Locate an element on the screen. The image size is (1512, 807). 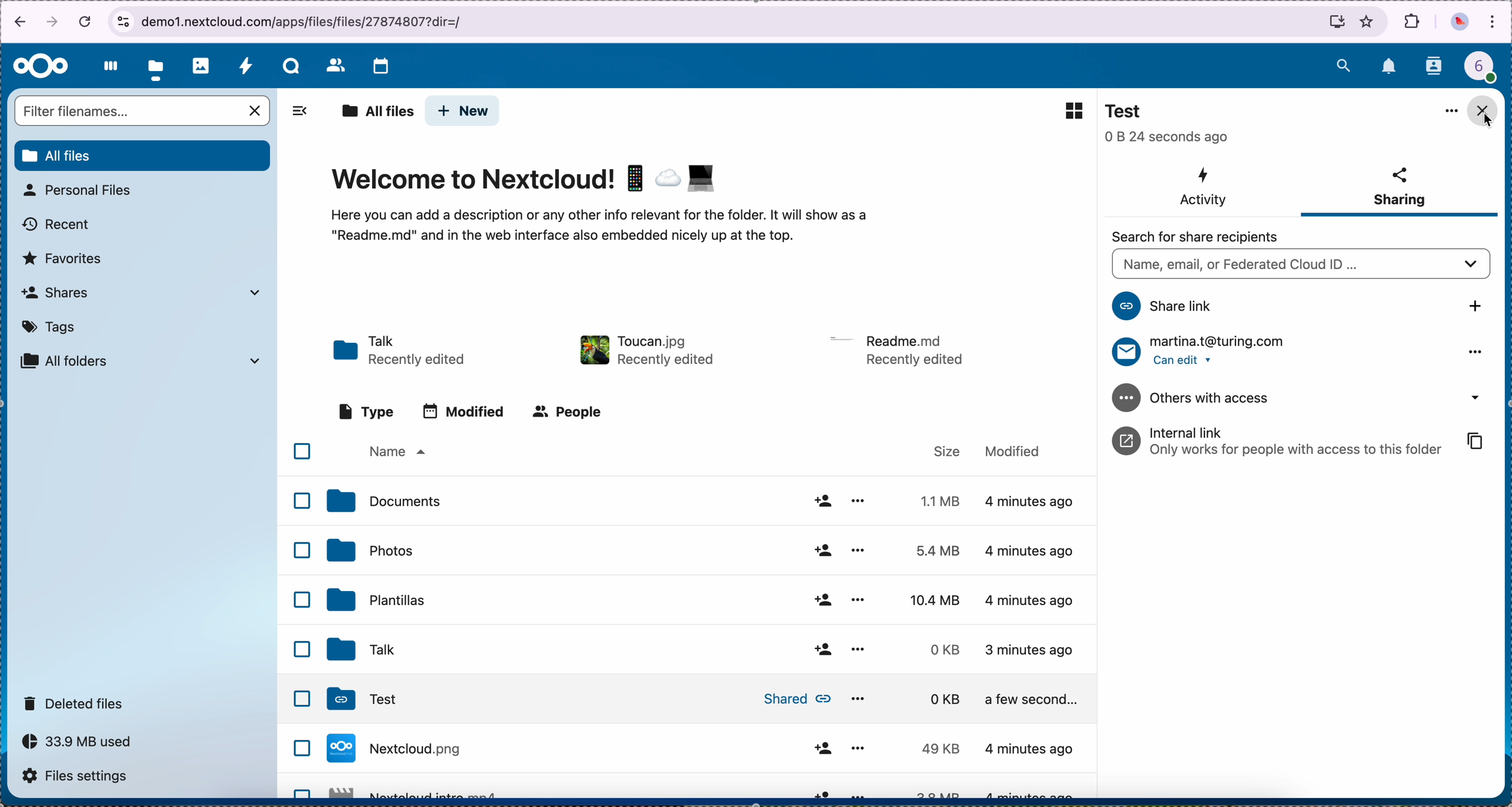
all folders is located at coordinates (141, 361).